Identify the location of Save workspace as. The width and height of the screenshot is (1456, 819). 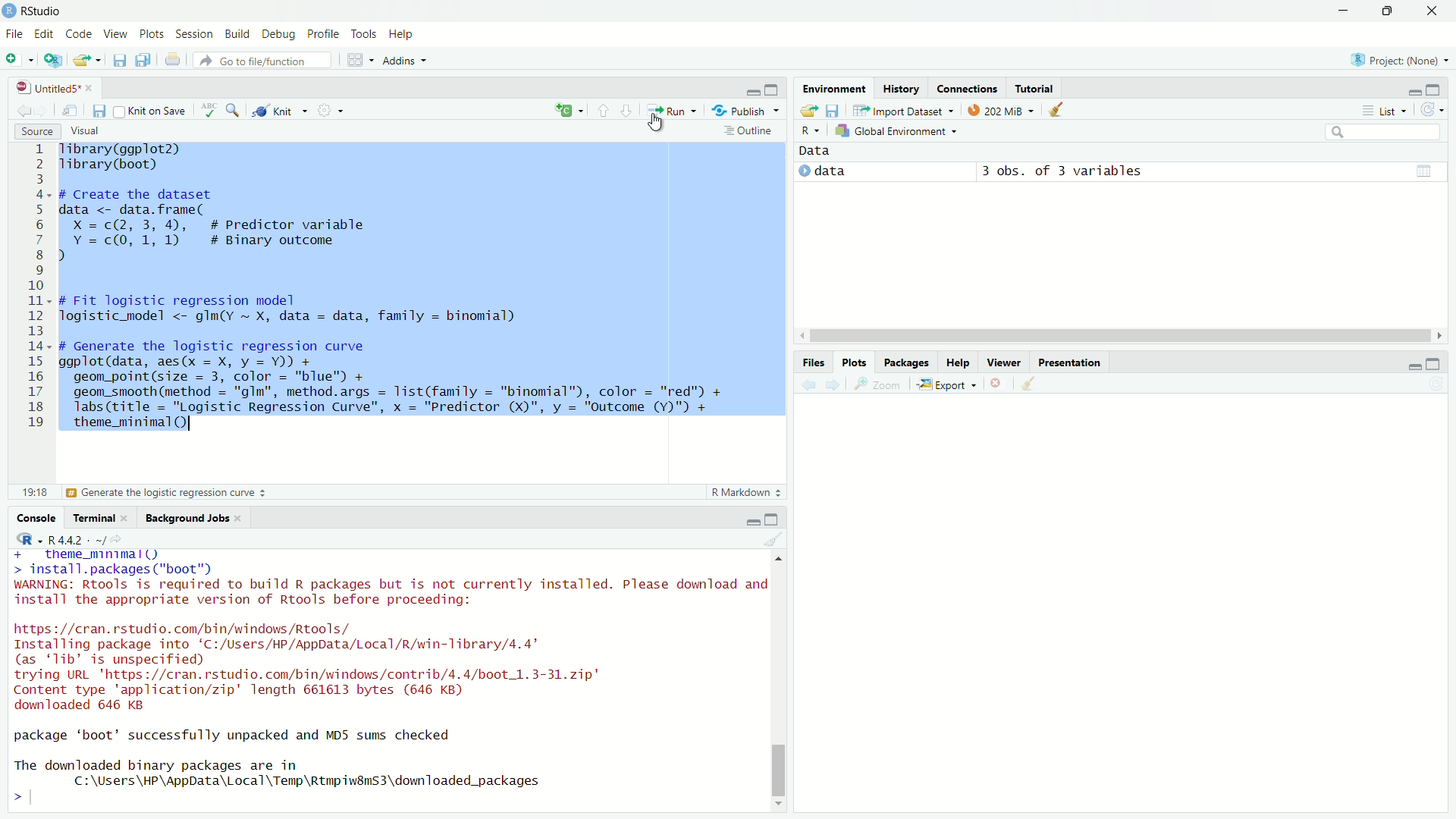
(833, 111).